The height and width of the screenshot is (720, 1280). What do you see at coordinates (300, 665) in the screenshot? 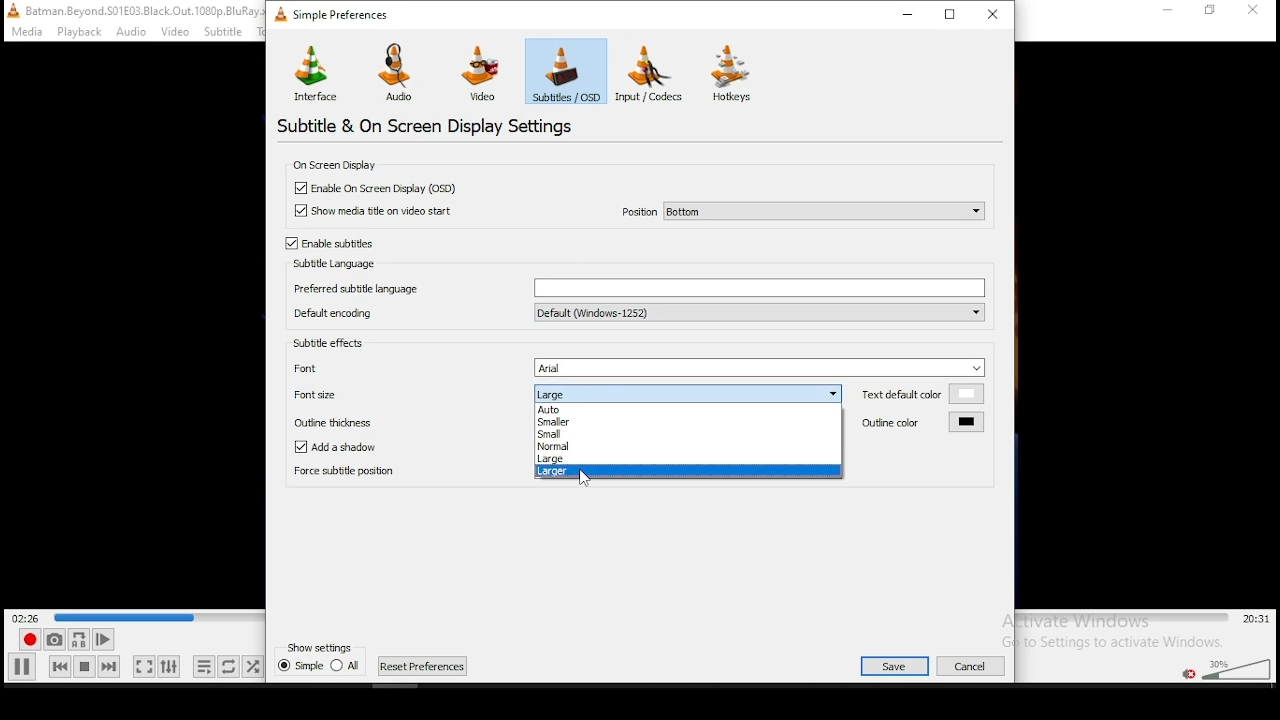
I see `simple` at bounding box center [300, 665].